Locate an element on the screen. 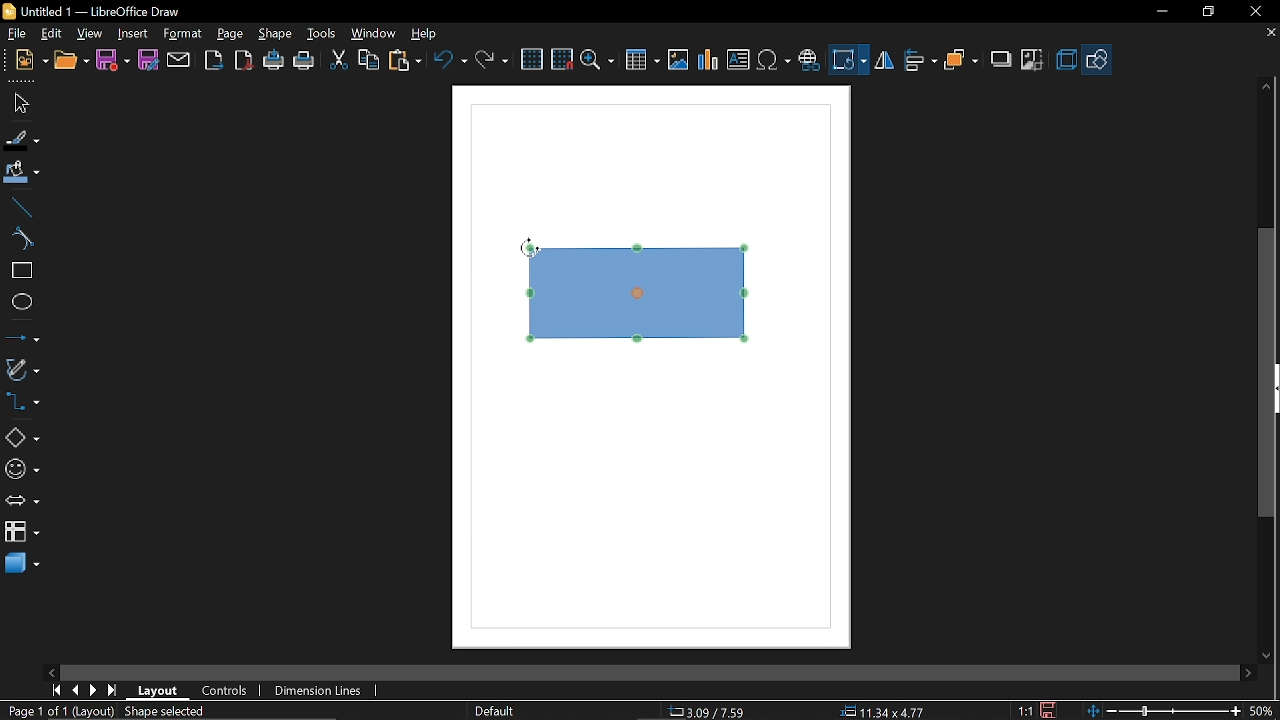  shape is located at coordinates (276, 35).